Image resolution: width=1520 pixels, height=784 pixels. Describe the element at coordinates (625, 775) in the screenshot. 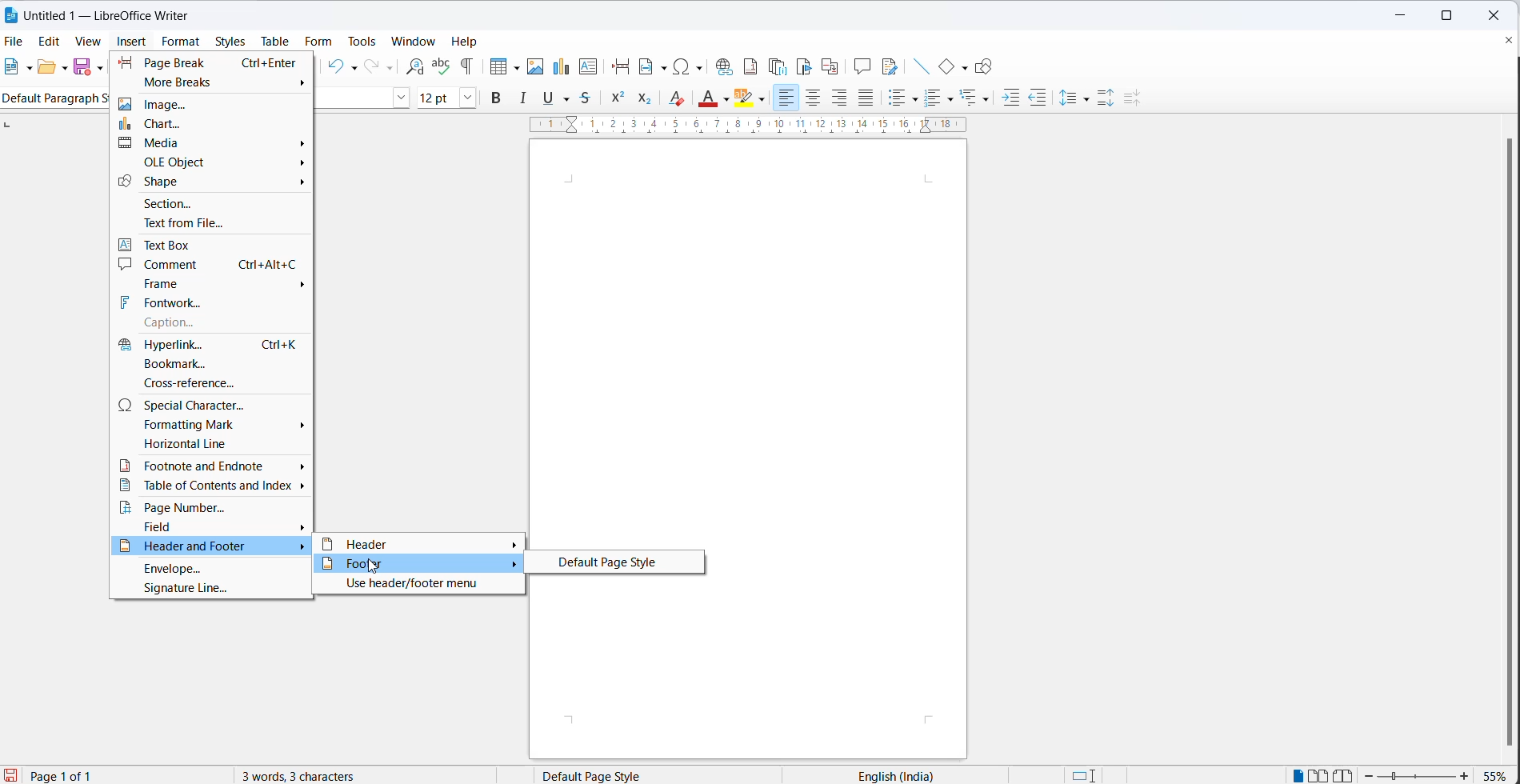

I see `page style` at that location.